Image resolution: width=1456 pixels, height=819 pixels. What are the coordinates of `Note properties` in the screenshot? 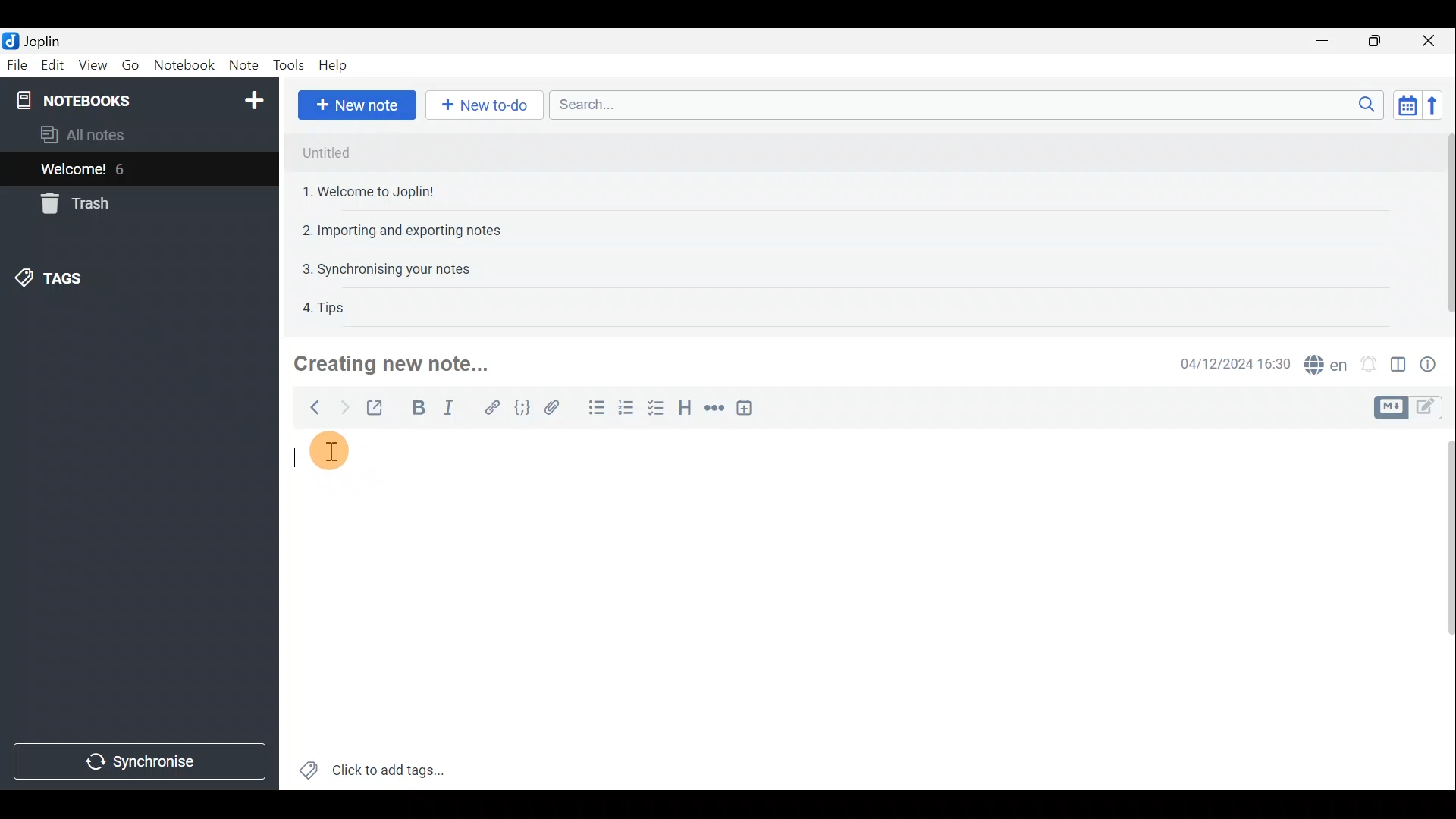 It's located at (1433, 363).